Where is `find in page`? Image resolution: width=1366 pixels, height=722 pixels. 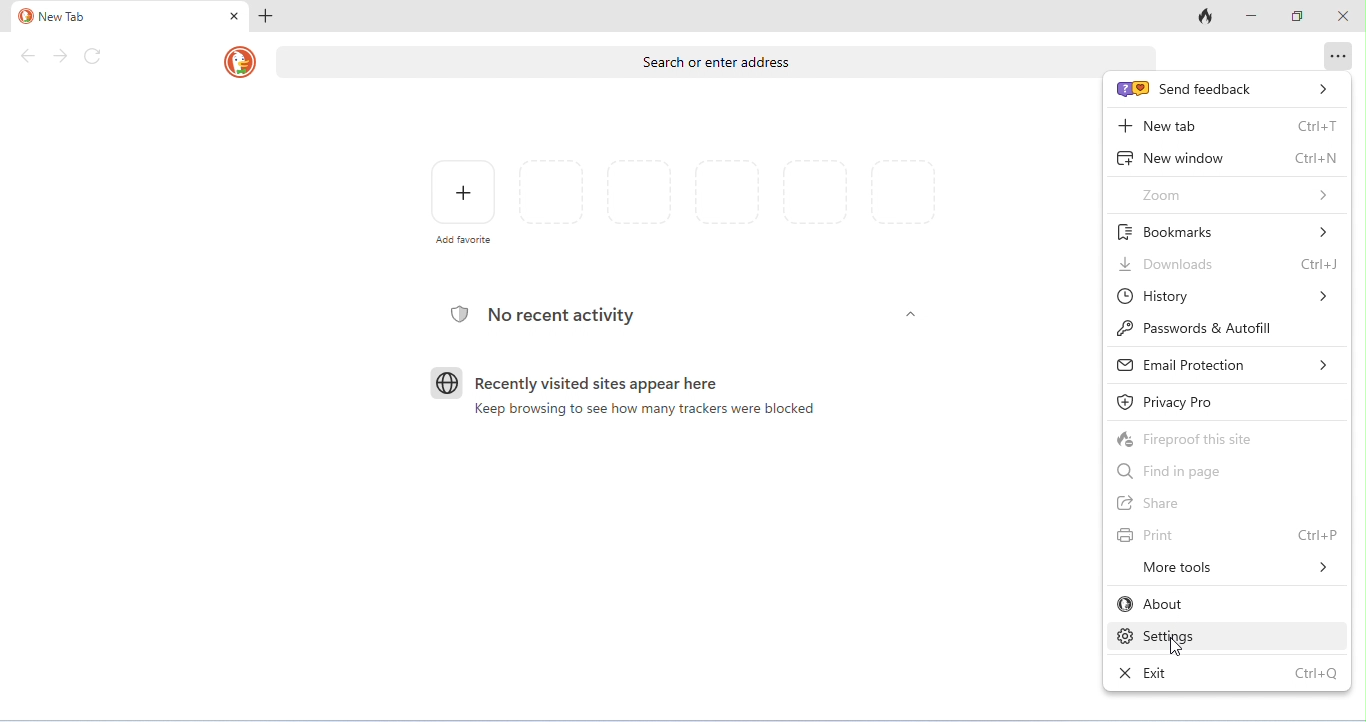
find in page is located at coordinates (1229, 470).